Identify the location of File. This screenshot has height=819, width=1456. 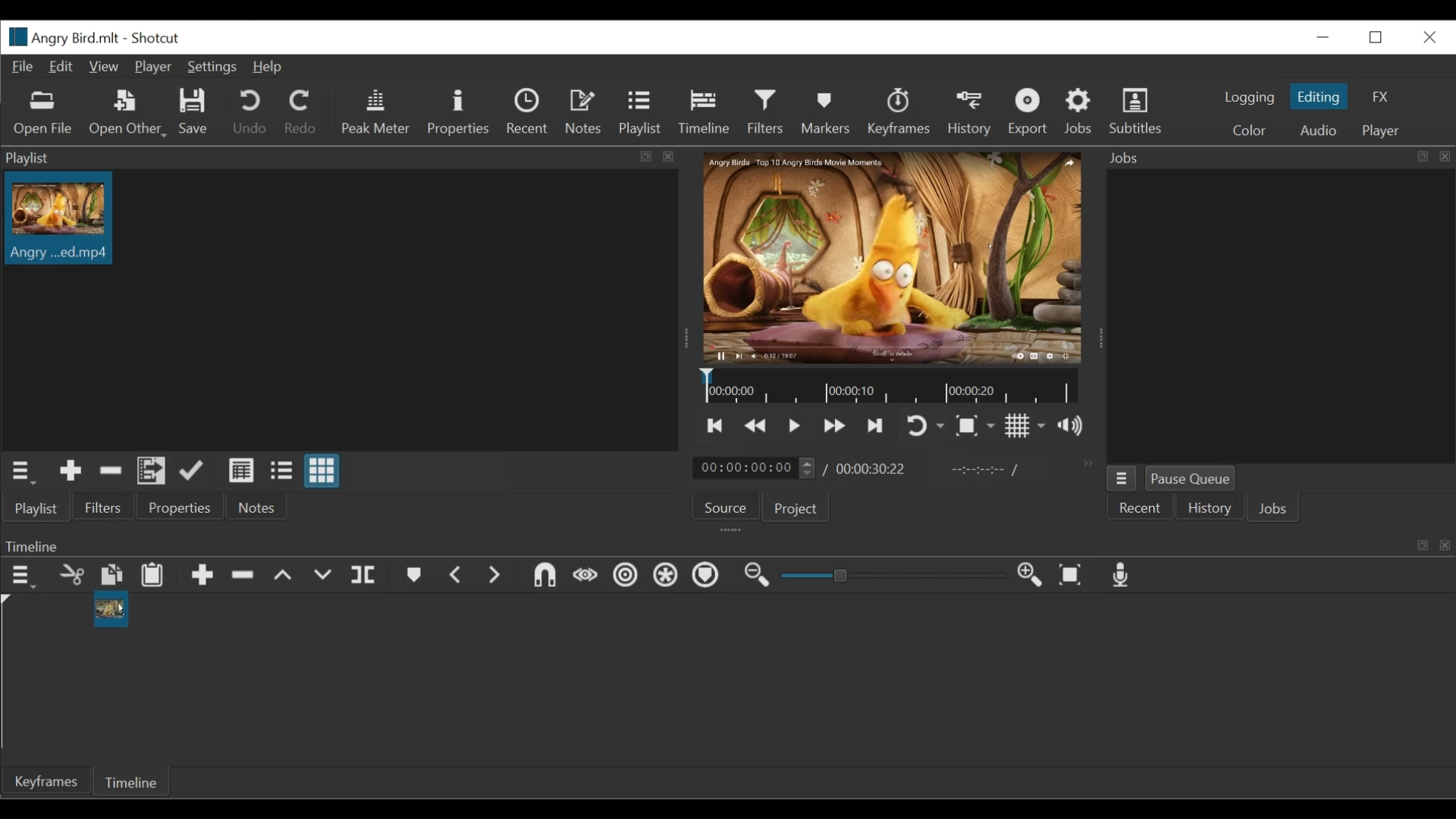
(22, 67).